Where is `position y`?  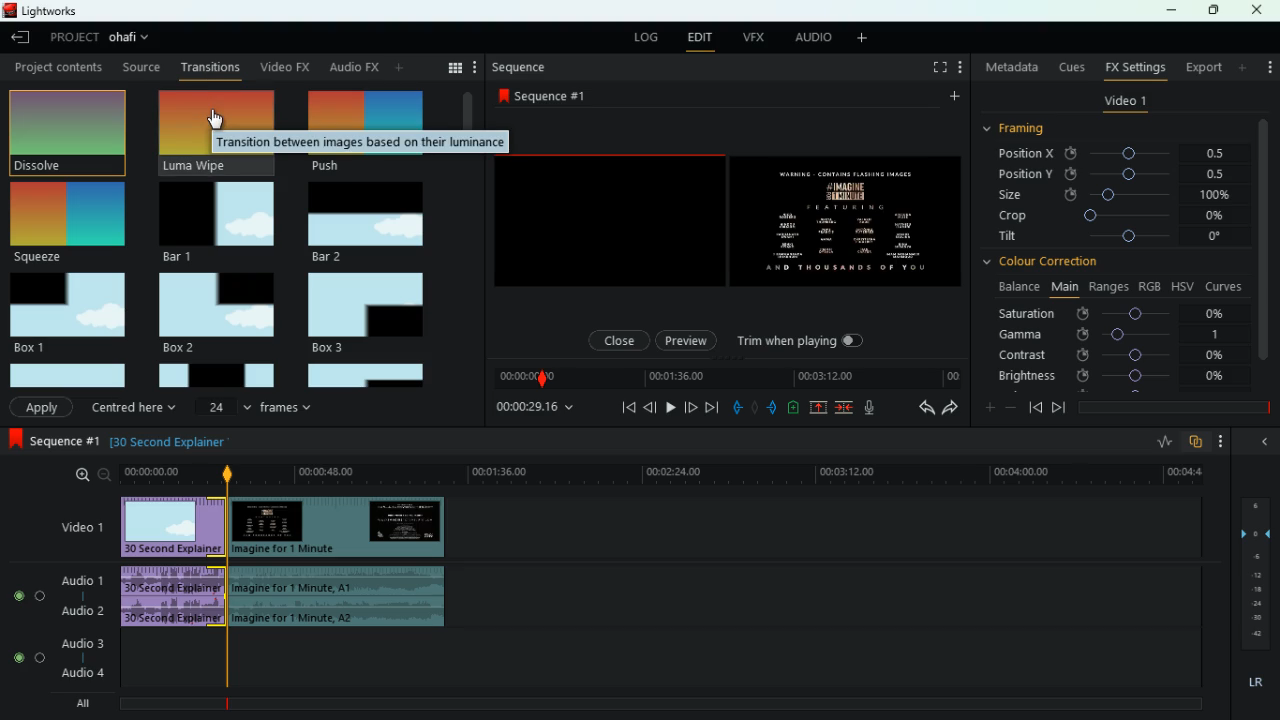 position y is located at coordinates (1121, 173).